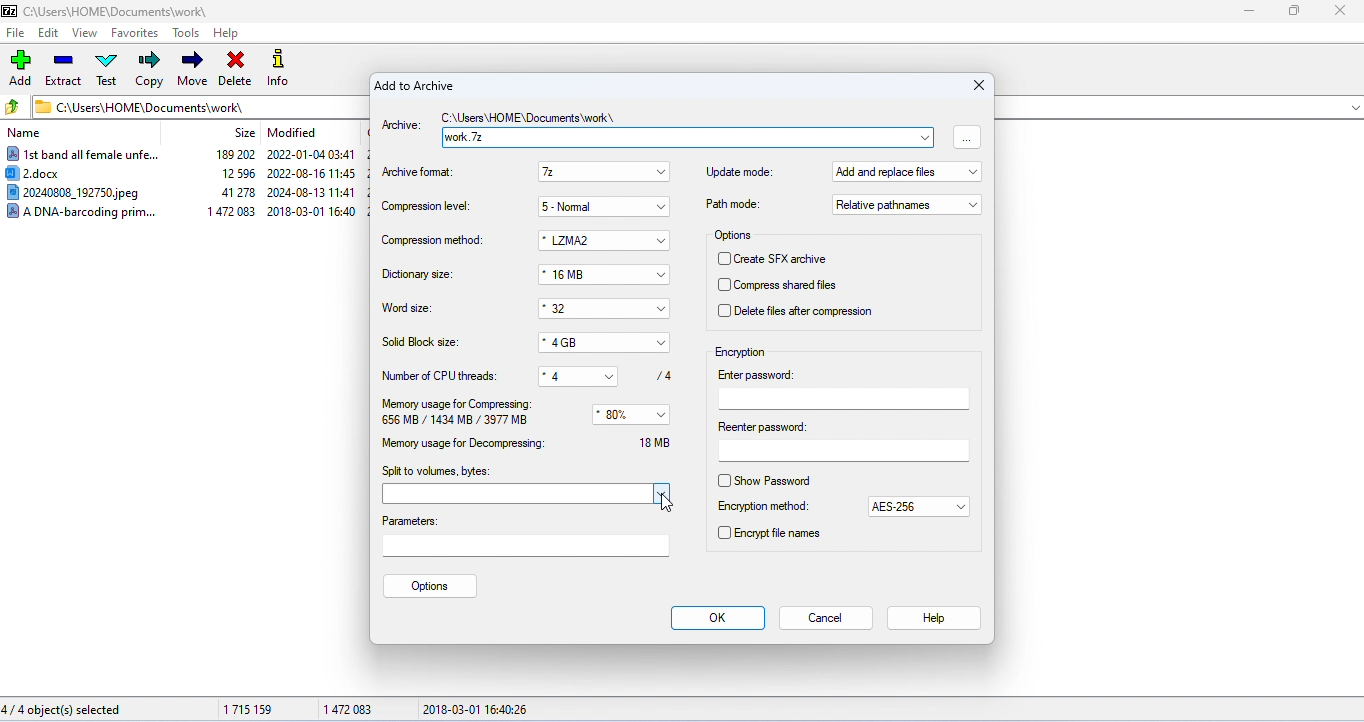  What do you see at coordinates (535, 443) in the screenshot?
I see `memory usage for decompressing  18 MB` at bounding box center [535, 443].